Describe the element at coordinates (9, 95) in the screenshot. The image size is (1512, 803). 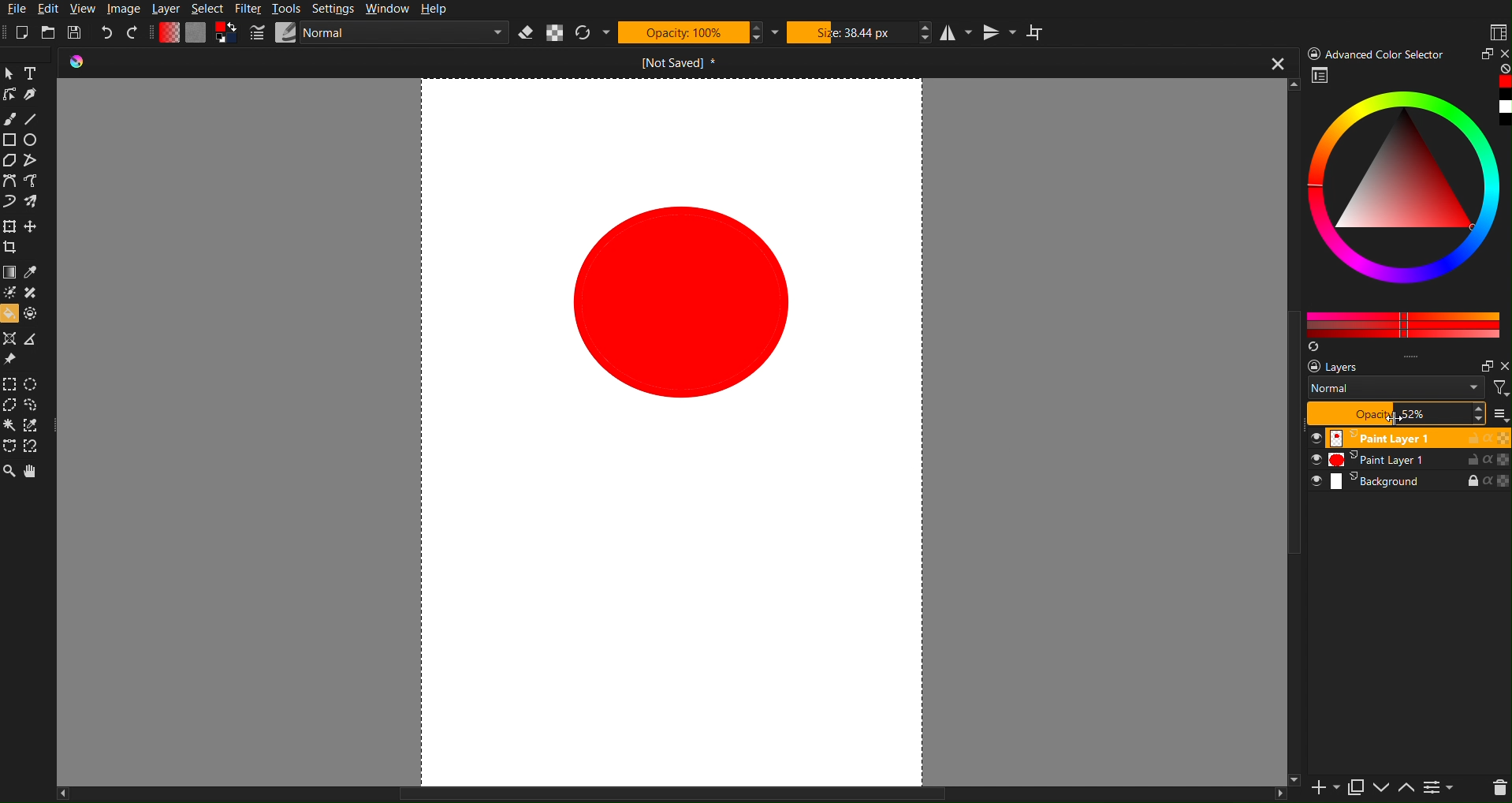
I see `Edit Shape` at that location.